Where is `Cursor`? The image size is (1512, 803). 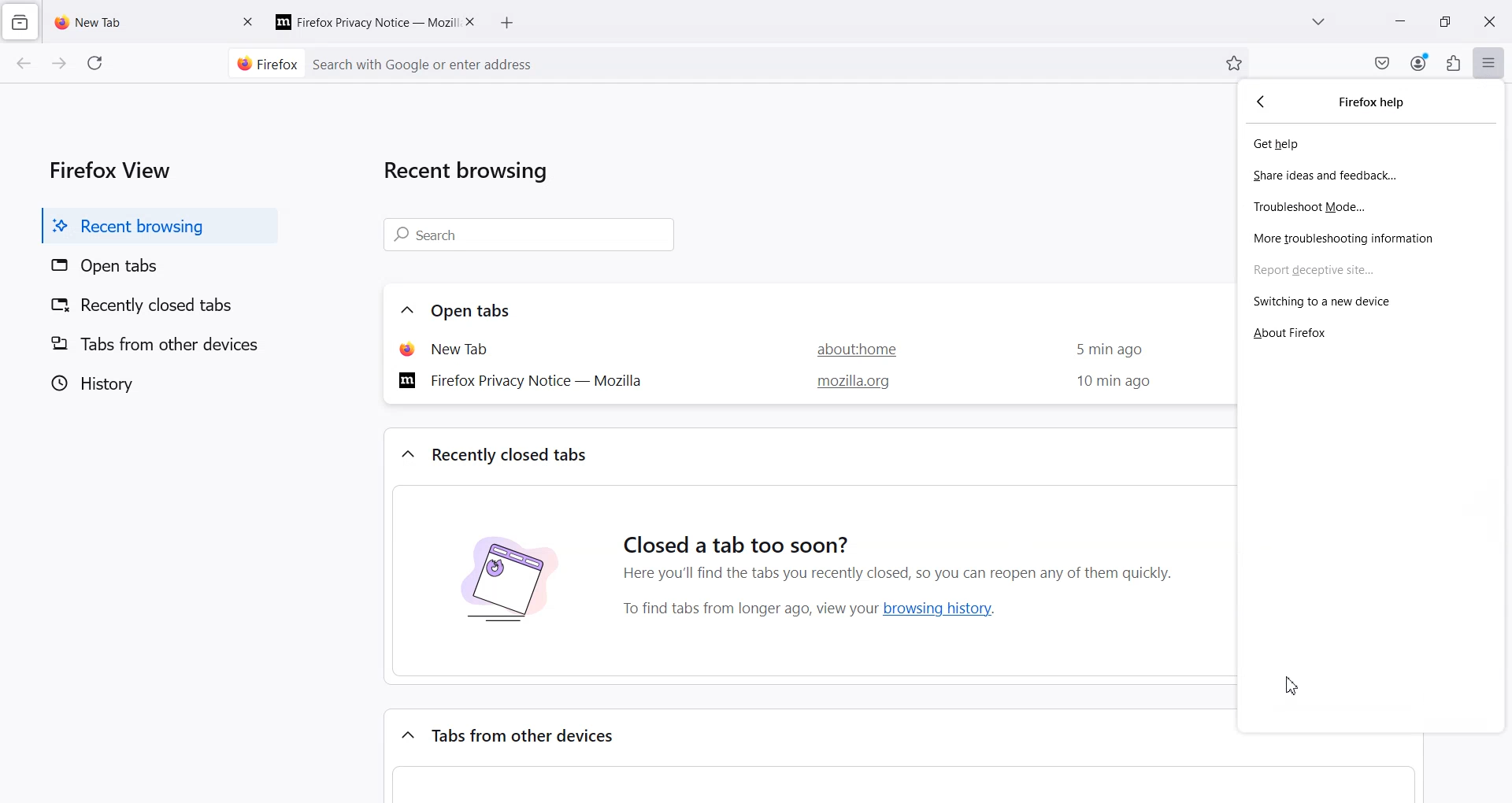
Cursor is located at coordinates (1291, 686).